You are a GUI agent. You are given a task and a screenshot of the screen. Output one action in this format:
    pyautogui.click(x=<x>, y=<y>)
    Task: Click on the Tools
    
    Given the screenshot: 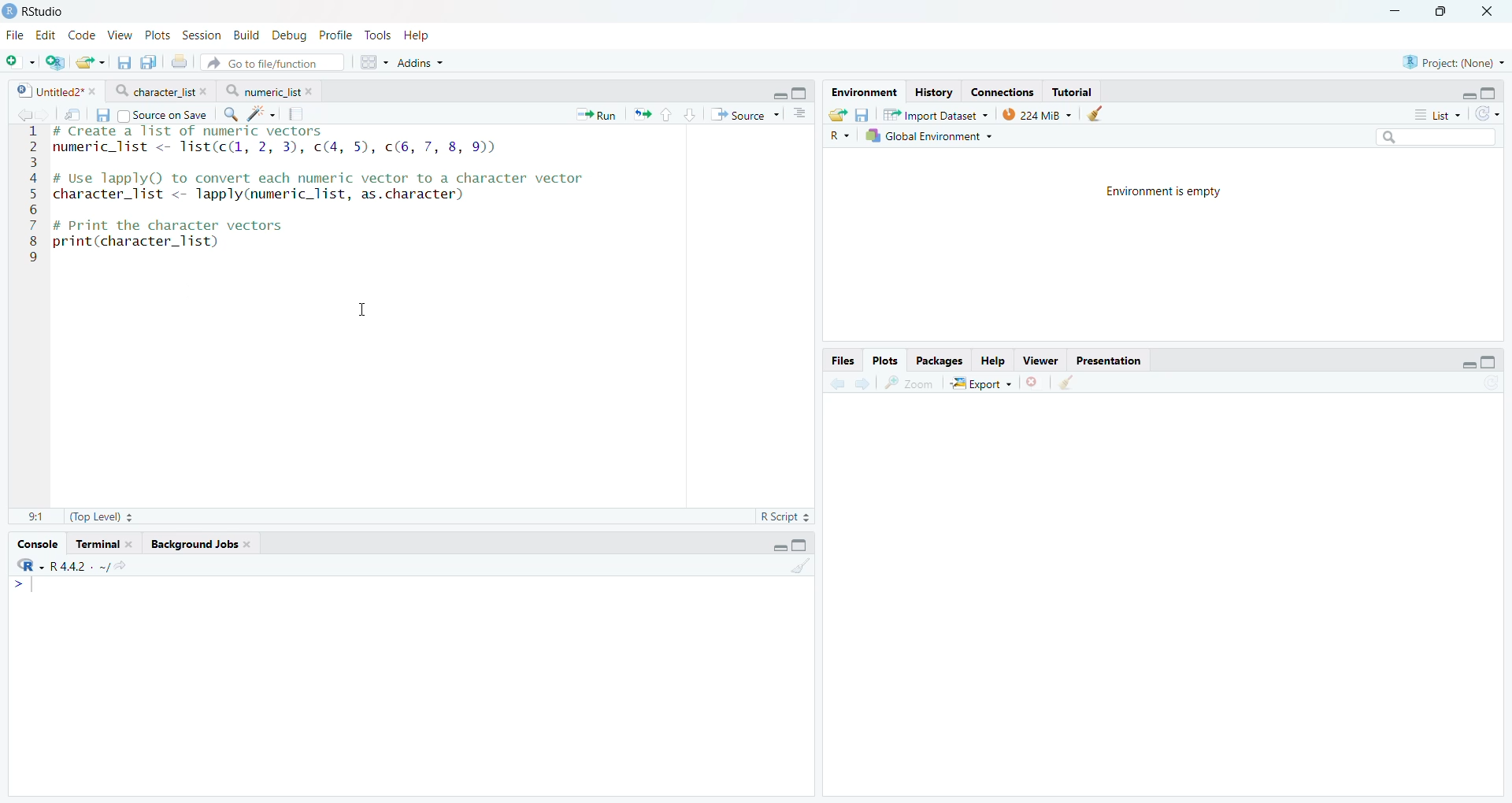 What is the action you would take?
    pyautogui.click(x=378, y=35)
    